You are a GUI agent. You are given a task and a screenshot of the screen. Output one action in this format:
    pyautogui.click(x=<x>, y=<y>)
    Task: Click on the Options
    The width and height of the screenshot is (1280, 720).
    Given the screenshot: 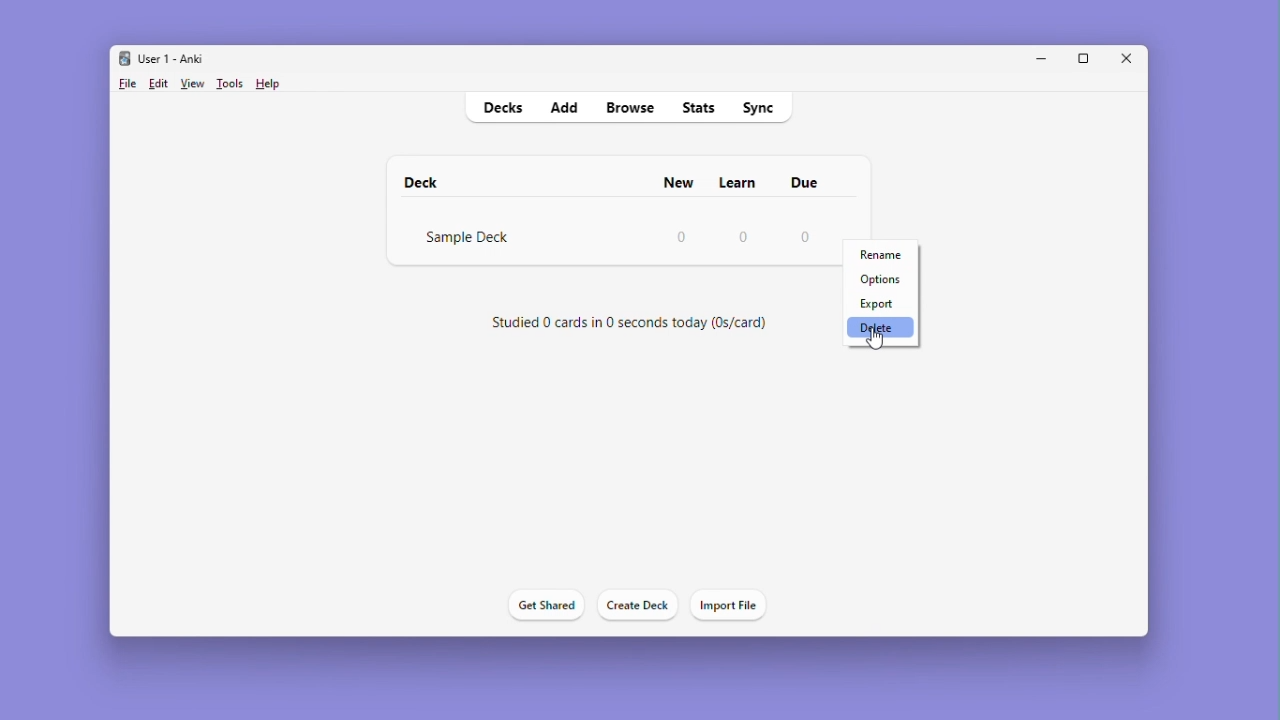 What is the action you would take?
    pyautogui.click(x=881, y=280)
    